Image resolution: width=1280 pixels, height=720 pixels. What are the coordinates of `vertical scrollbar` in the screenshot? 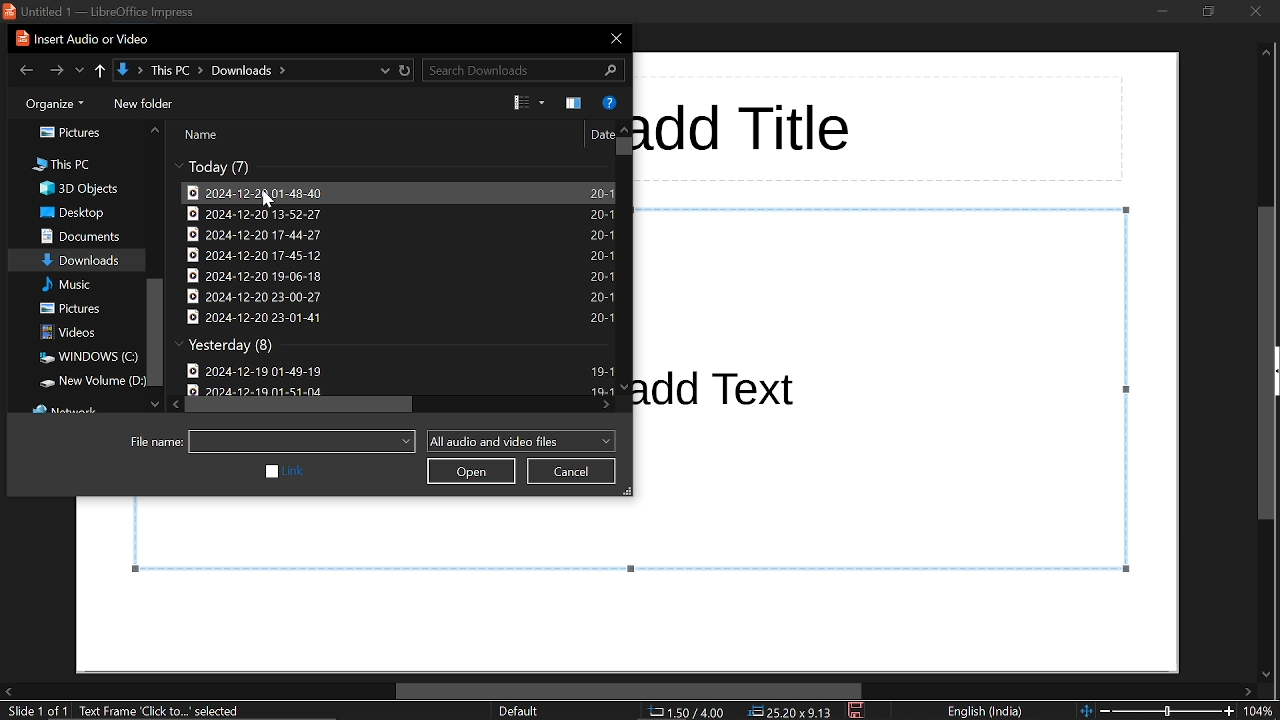 It's located at (1270, 361).